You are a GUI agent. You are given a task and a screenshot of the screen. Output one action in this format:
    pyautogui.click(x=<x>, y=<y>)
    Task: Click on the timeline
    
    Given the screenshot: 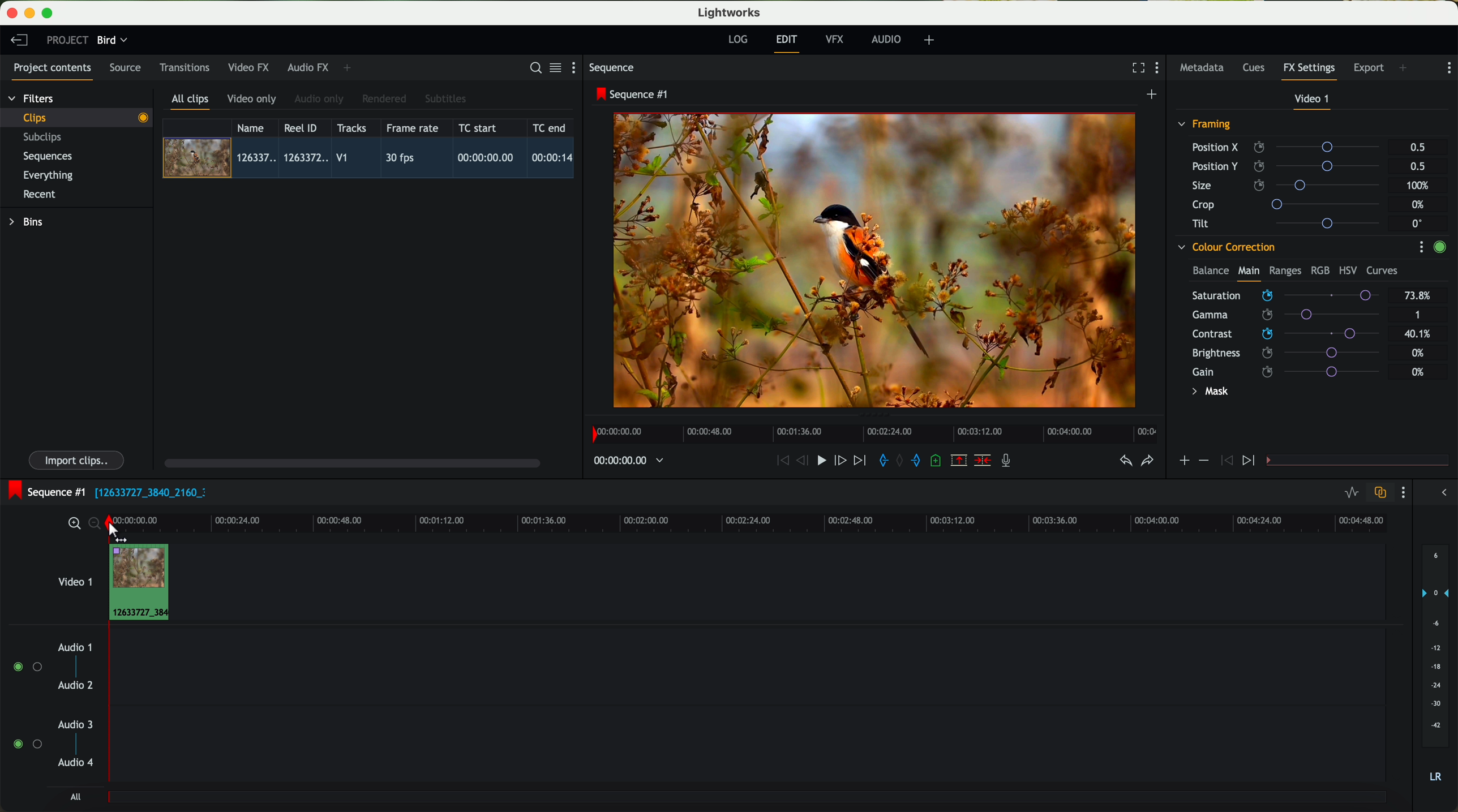 What is the action you would take?
    pyautogui.click(x=871, y=431)
    